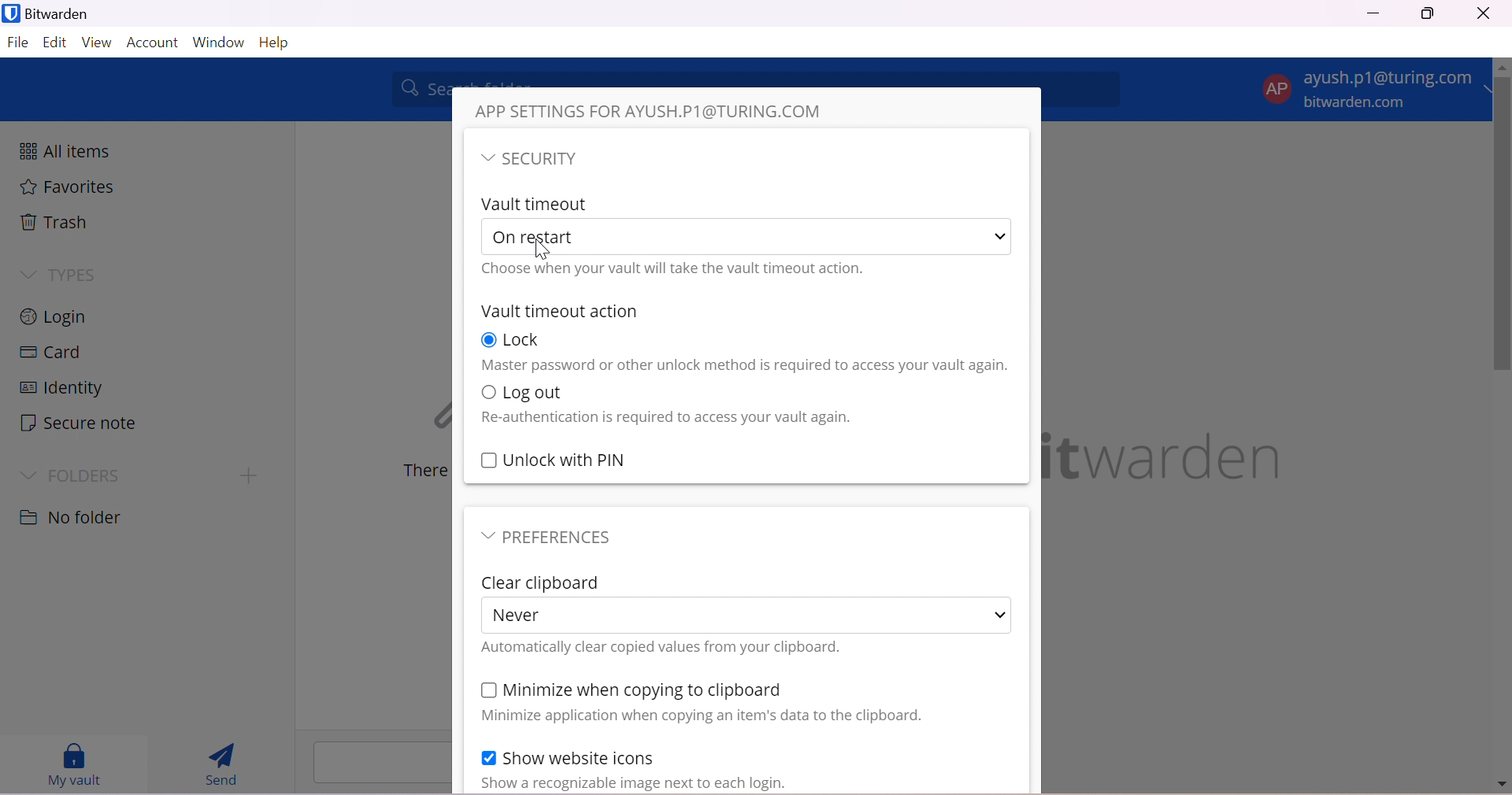 The width and height of the screenshot is (1512, 795). I want to click on Drop Down, so click(31, 476).